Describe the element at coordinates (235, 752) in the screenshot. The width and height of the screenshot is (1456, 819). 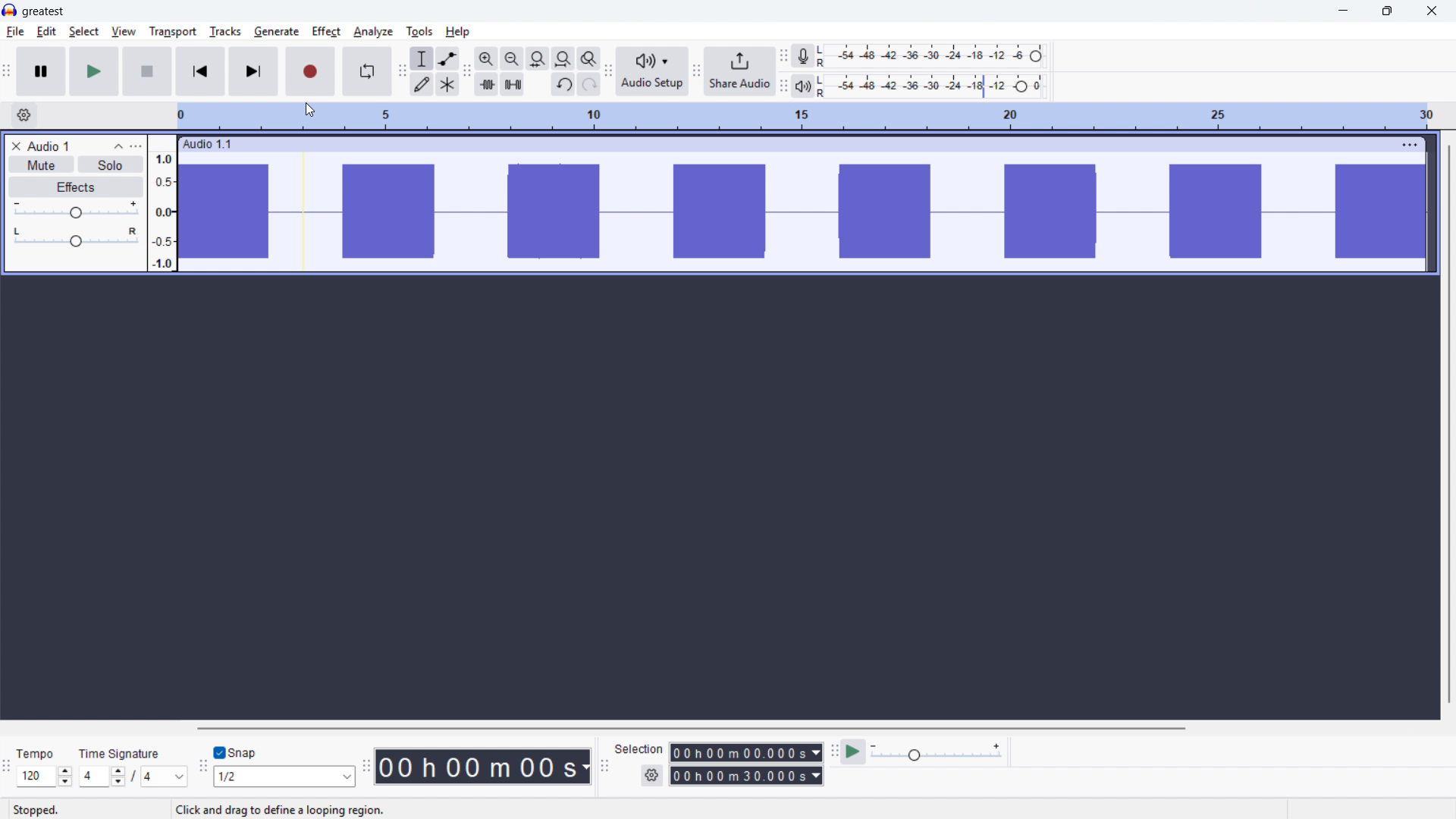
I see `Toggle snap ` at that location.